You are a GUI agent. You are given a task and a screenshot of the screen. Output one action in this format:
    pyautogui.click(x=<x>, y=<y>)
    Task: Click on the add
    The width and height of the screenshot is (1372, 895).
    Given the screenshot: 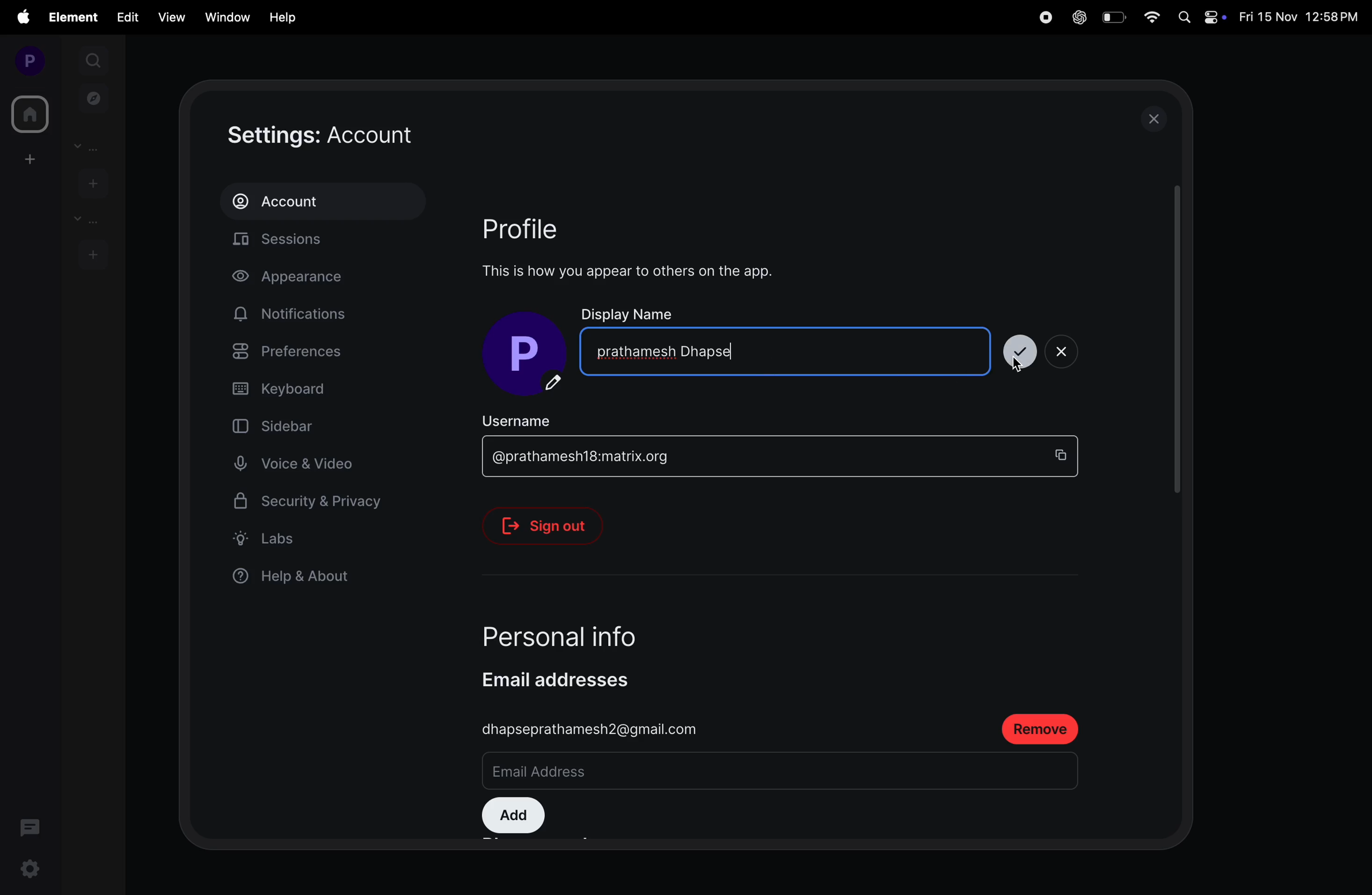 What is the action you would take?
    pyautogui.click(x=27, y=159)
    